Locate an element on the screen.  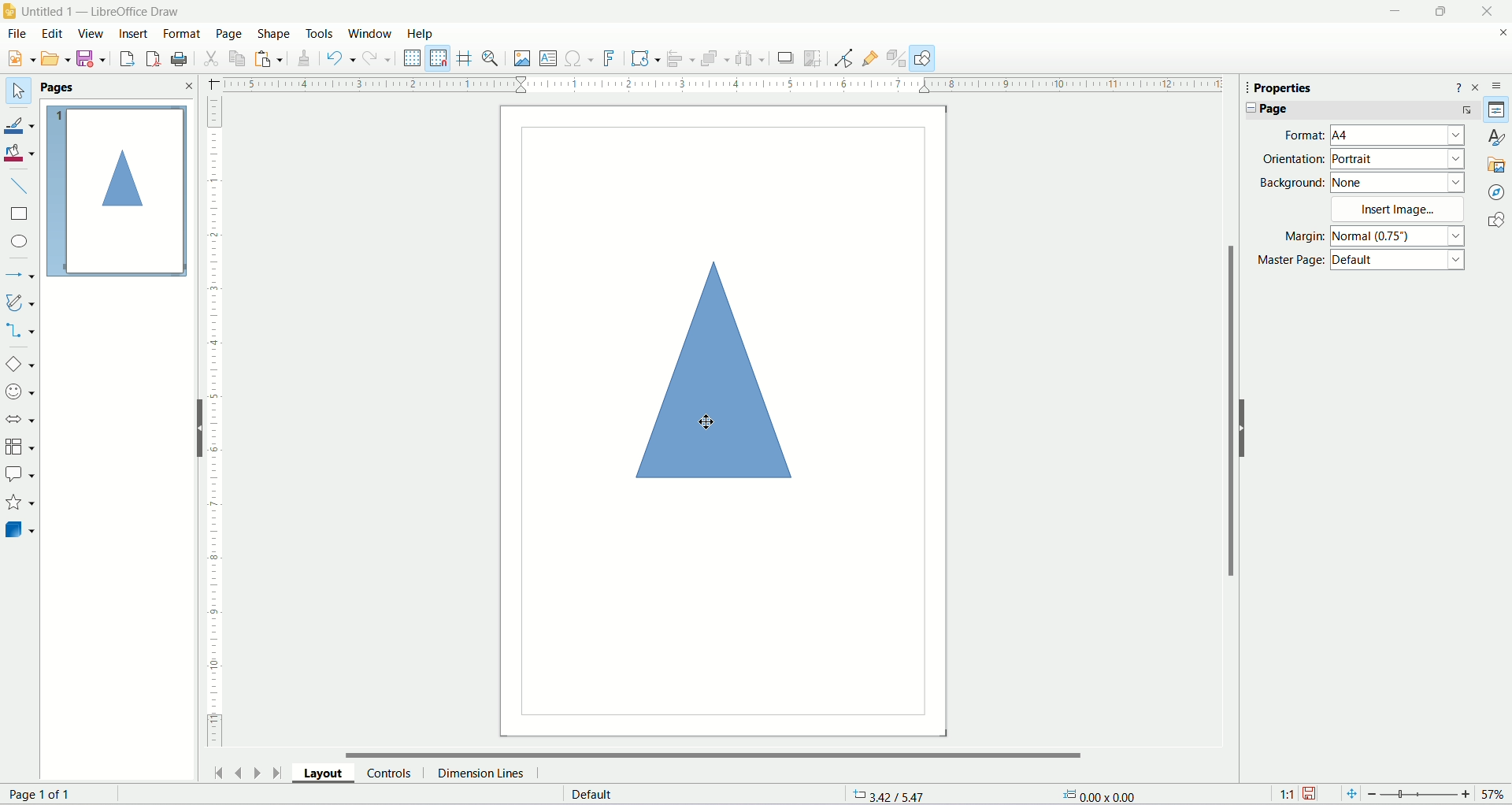
Transformations is located at coordinates (646, 58).